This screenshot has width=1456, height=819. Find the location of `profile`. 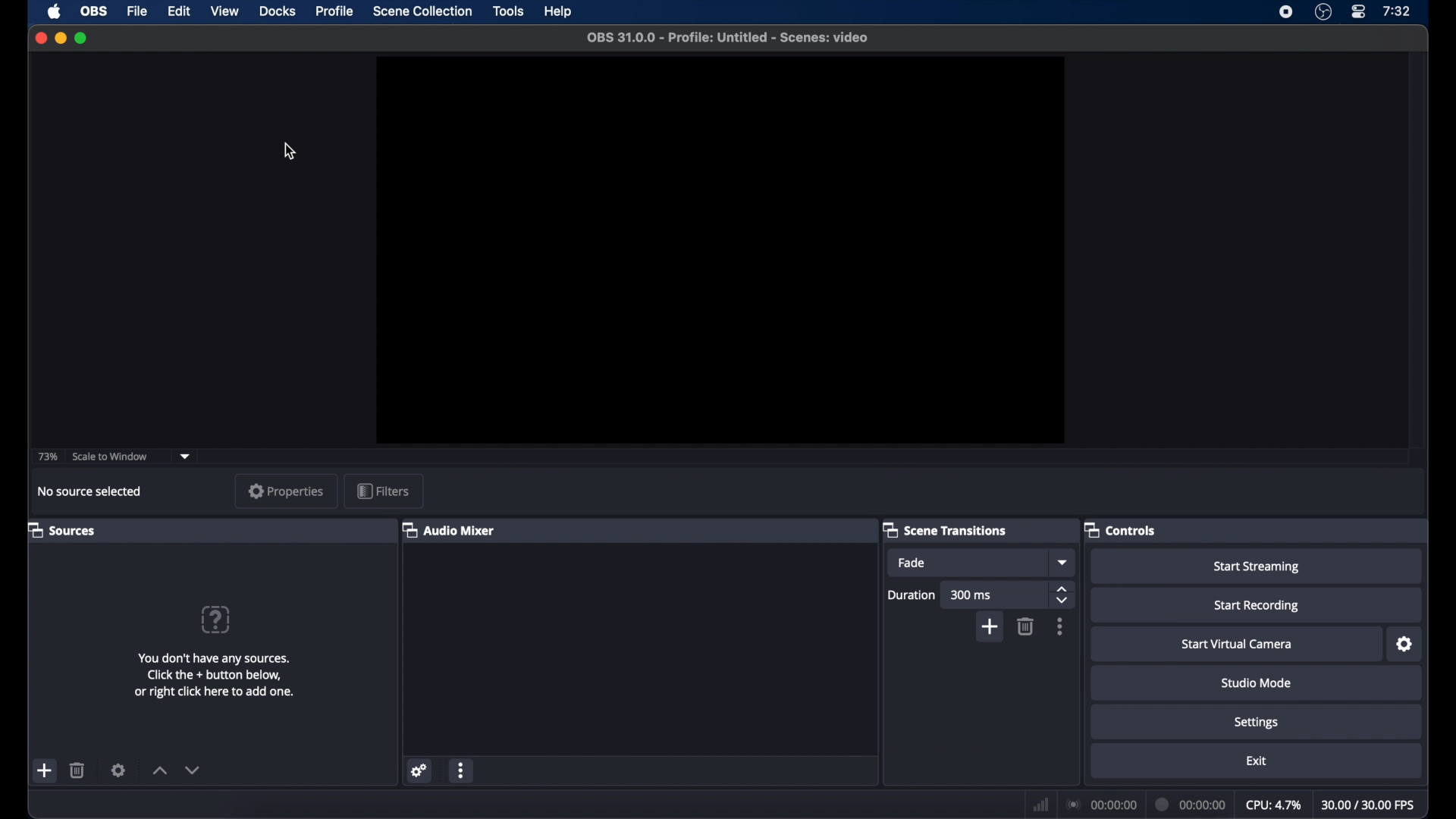

profile is located at coordinates (335, 10).